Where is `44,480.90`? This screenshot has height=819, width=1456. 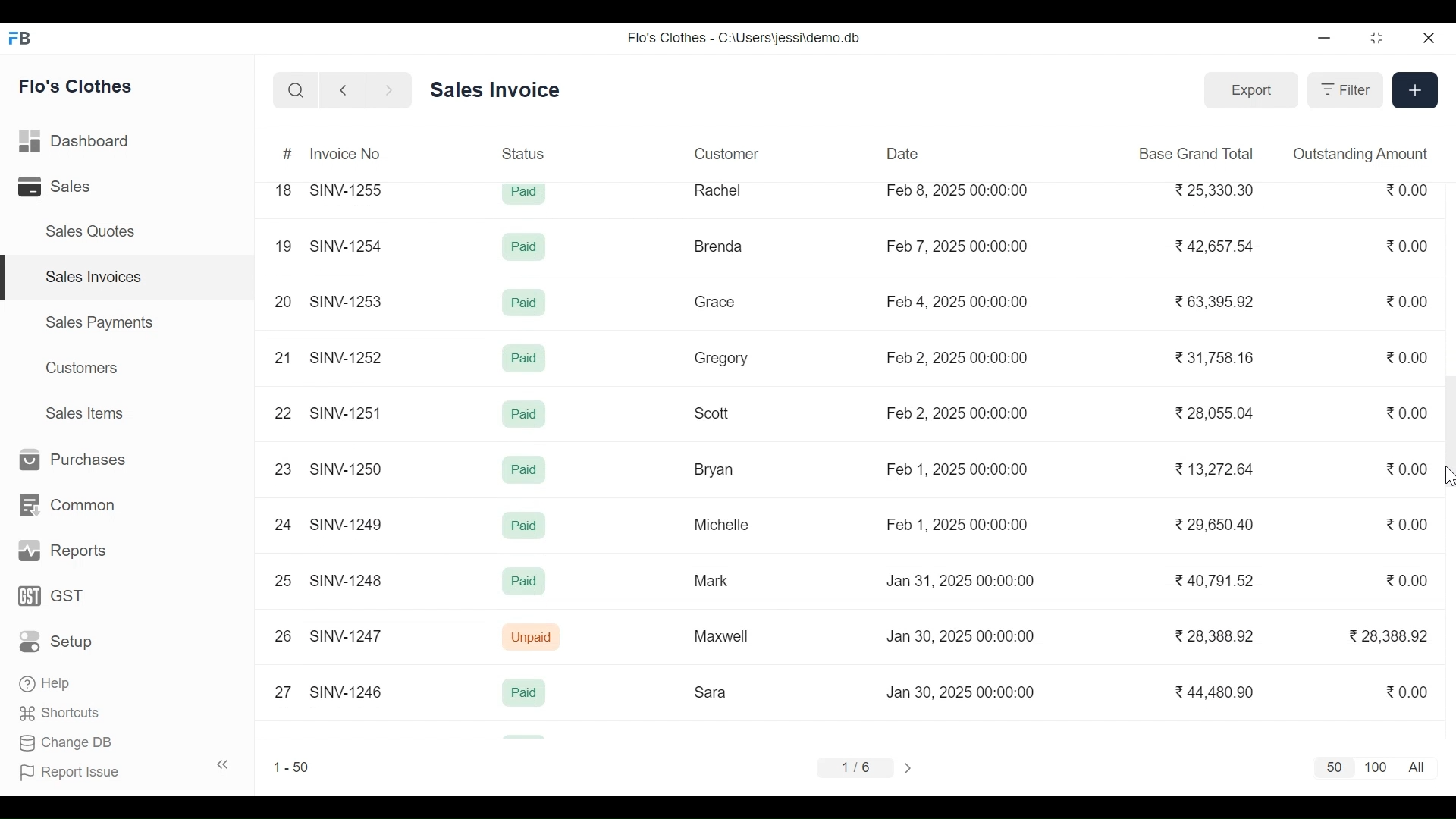
44,480.90 is located at coordinates (1217, 692).